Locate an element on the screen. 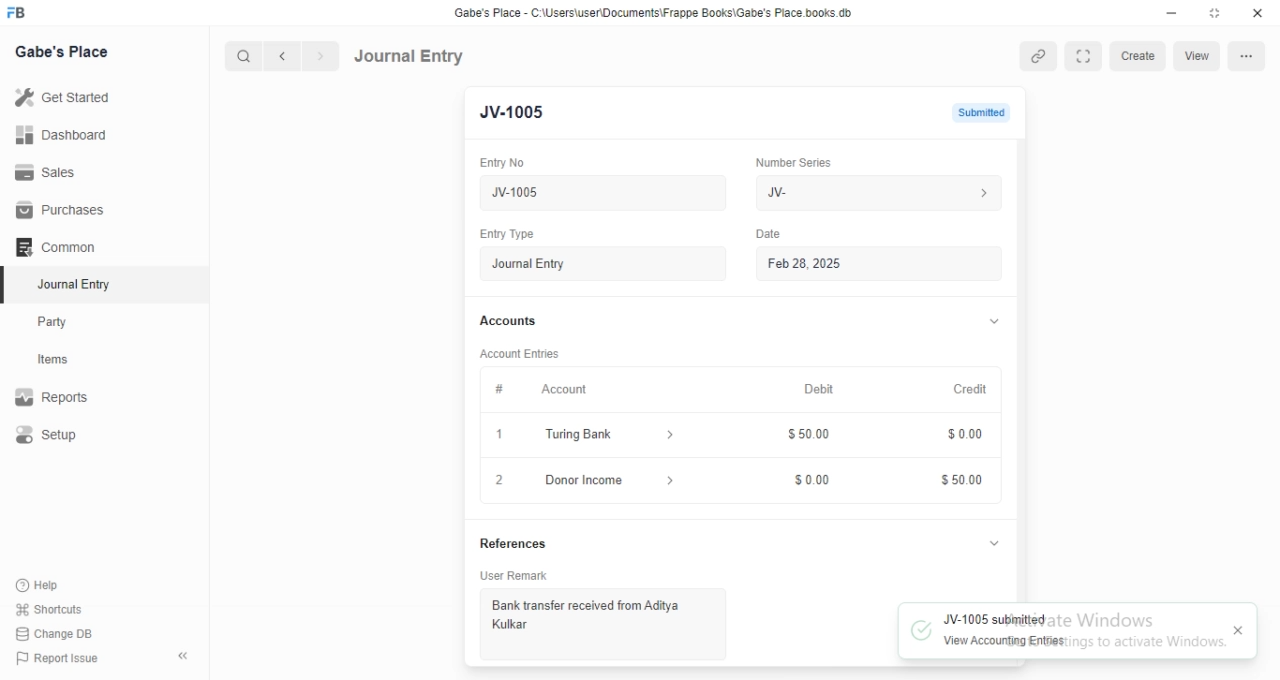 The width and height of the screenshot is (1280, 680). Dashboard is located at coordinates (66, 134).